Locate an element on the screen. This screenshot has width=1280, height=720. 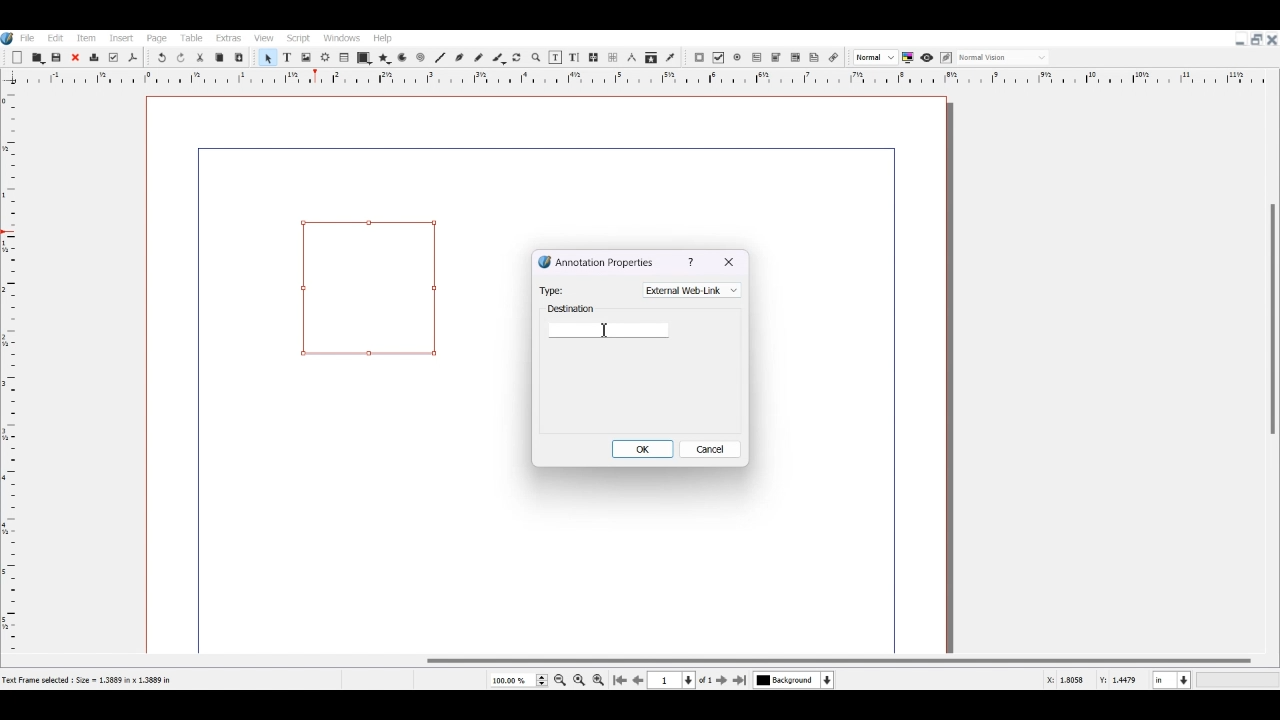
Table is located at coordinates (191, 38).